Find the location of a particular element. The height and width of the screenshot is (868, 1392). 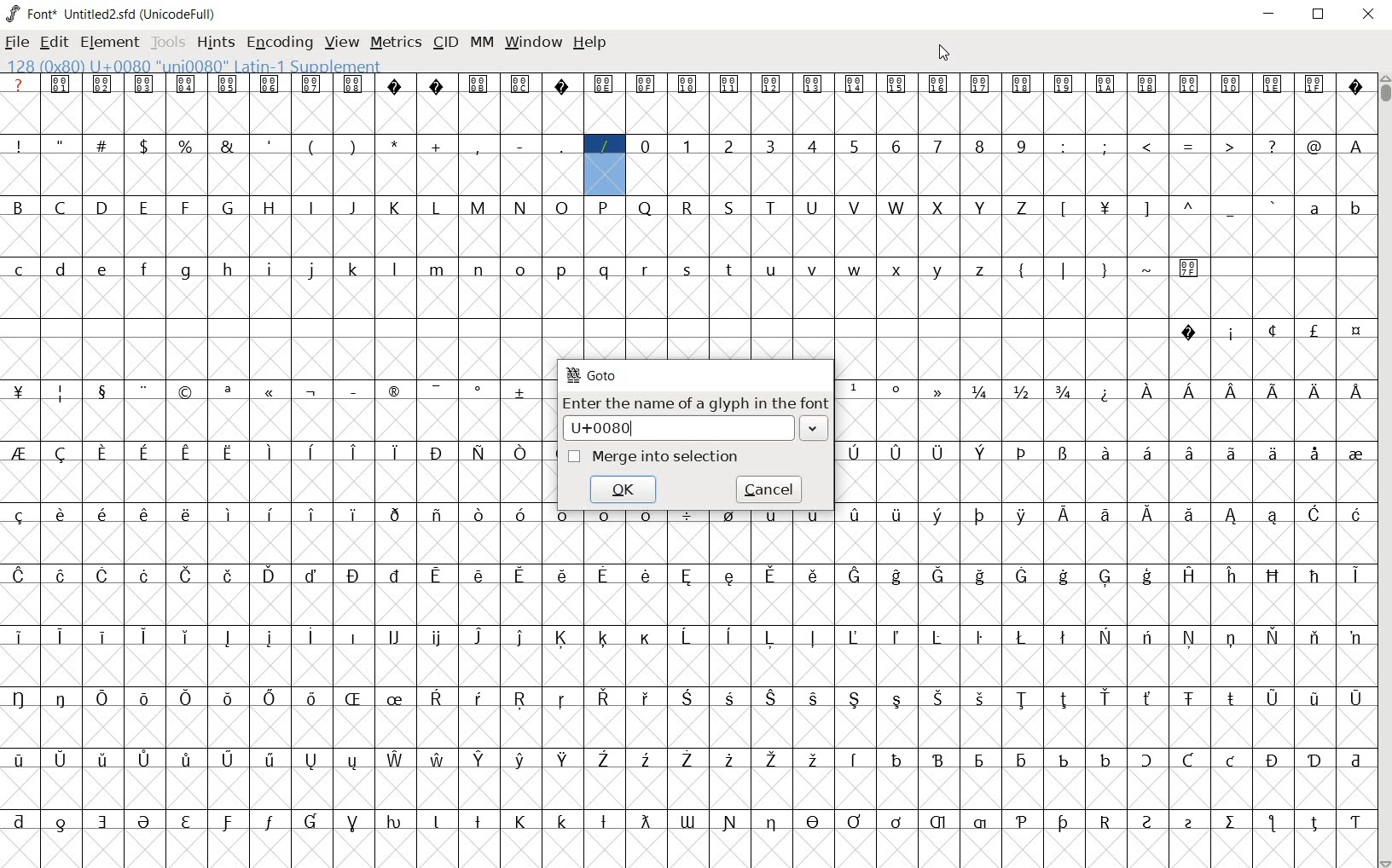

glyph is located at coordinates (854, 148).